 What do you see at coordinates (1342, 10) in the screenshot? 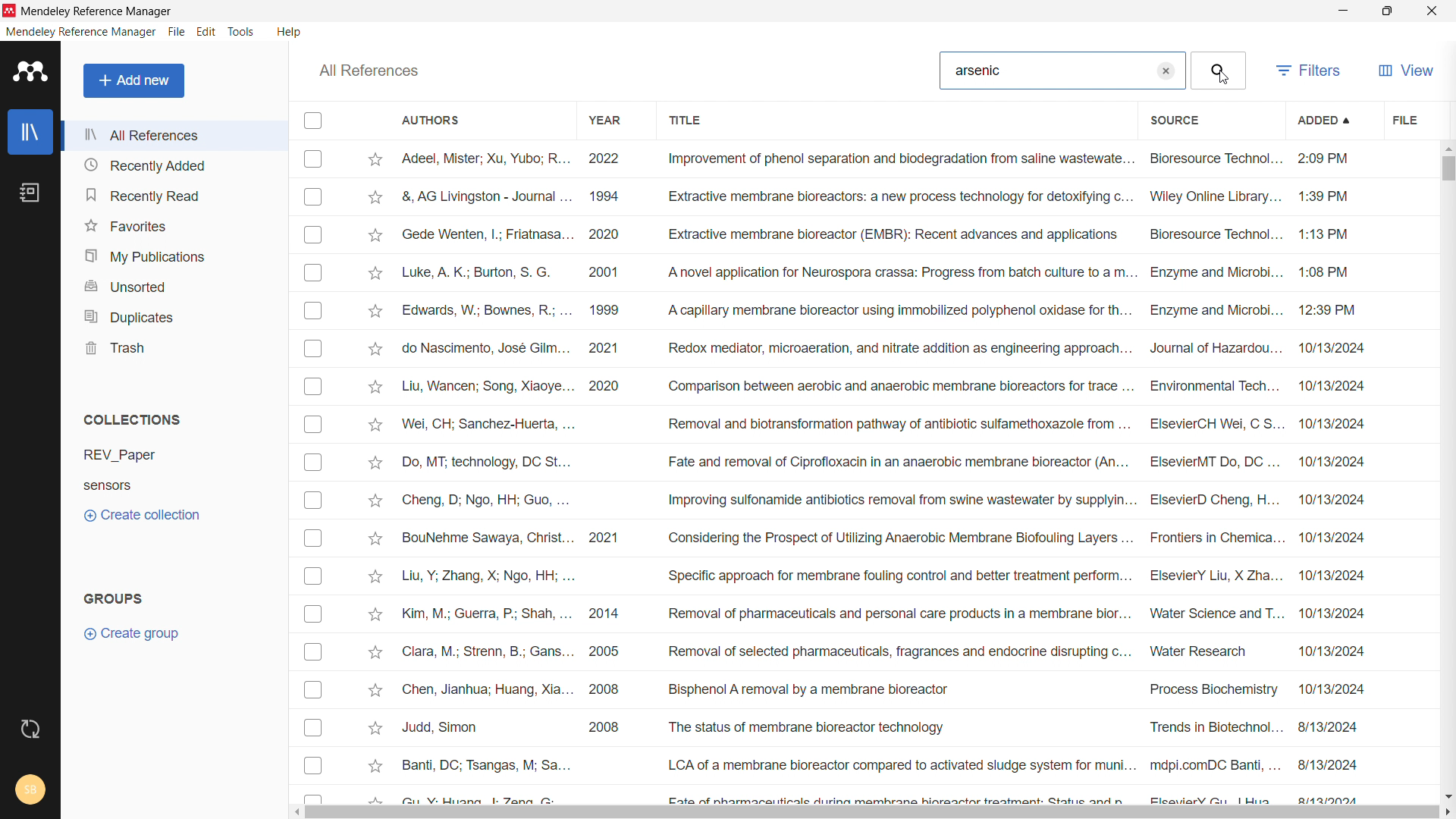
I see `minimize` at bounding box center [1342, 10].